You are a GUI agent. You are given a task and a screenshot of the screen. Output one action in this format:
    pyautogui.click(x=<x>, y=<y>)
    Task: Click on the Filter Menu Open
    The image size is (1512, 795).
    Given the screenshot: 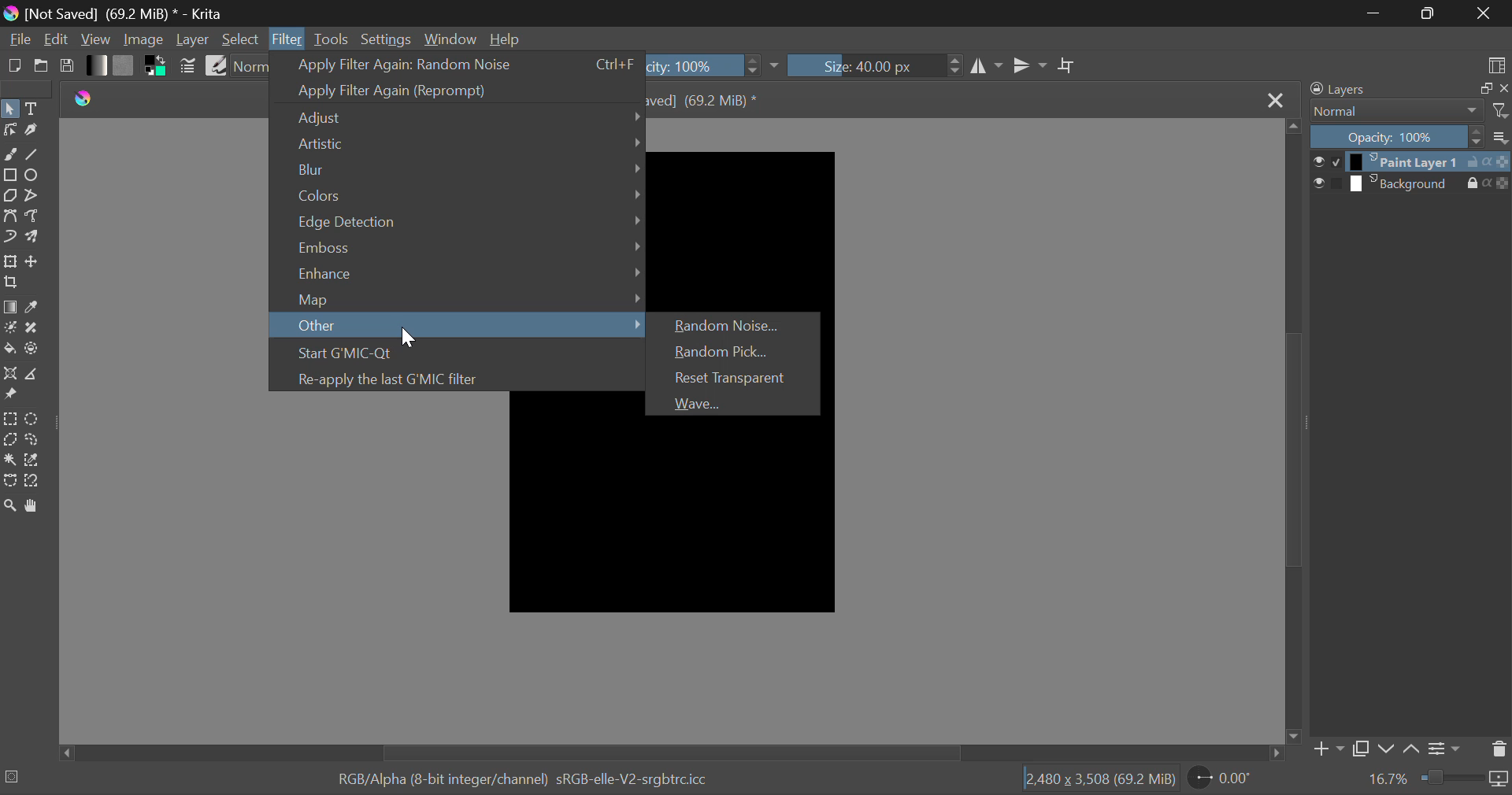 What is the action you would take?
    pyautogui.click(x=287, y=39)
    